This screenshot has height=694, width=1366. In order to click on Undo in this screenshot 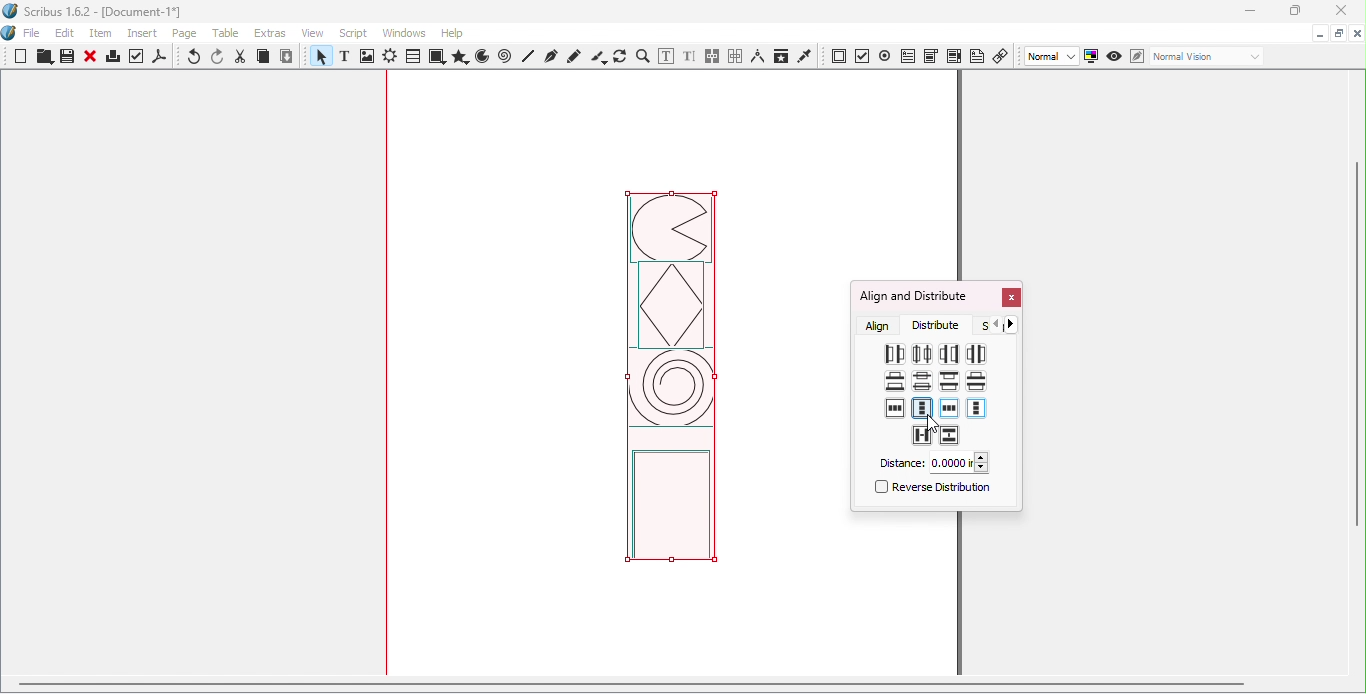, I will do `click(195, 58)`.